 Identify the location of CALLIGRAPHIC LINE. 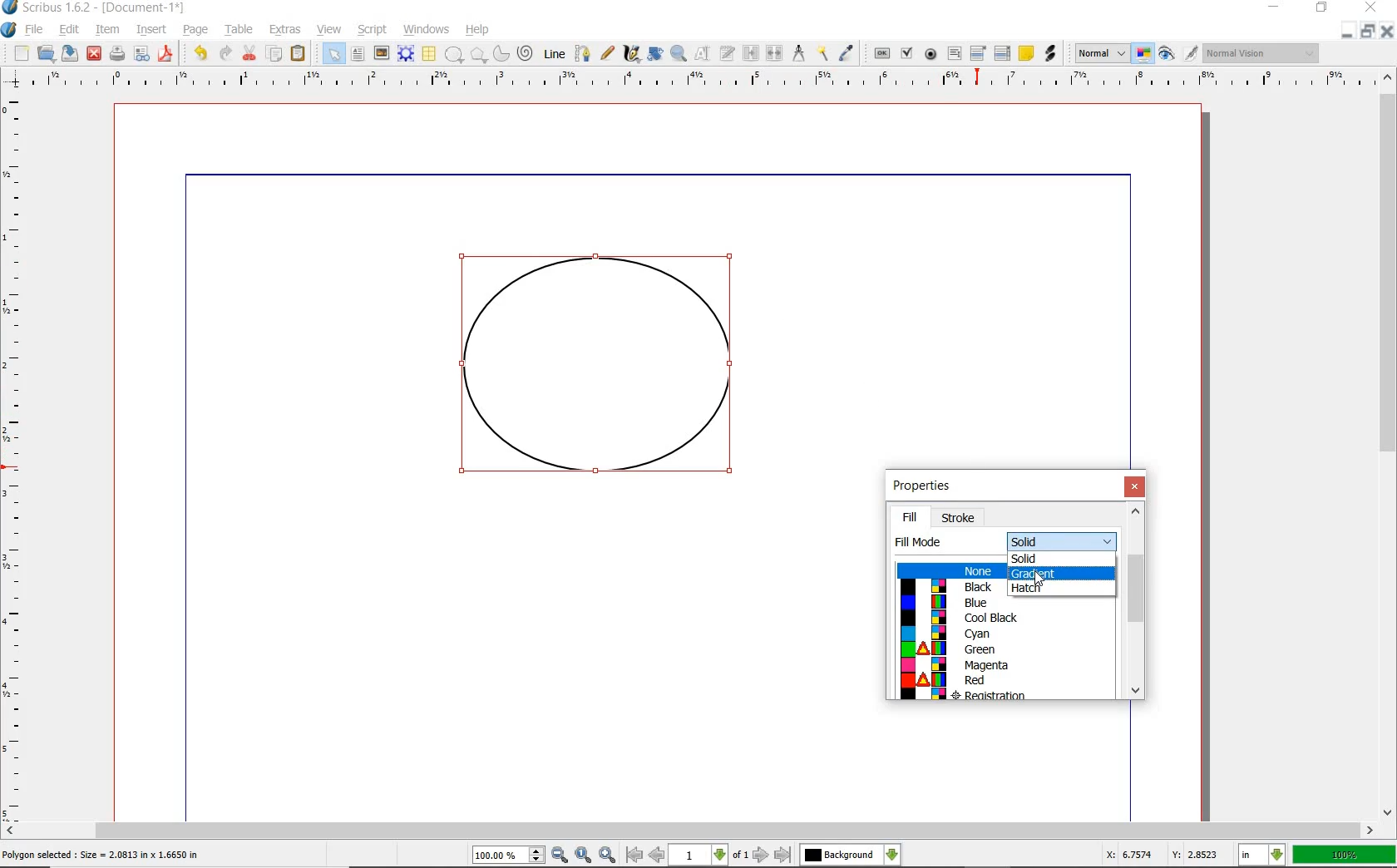
(631, 54).